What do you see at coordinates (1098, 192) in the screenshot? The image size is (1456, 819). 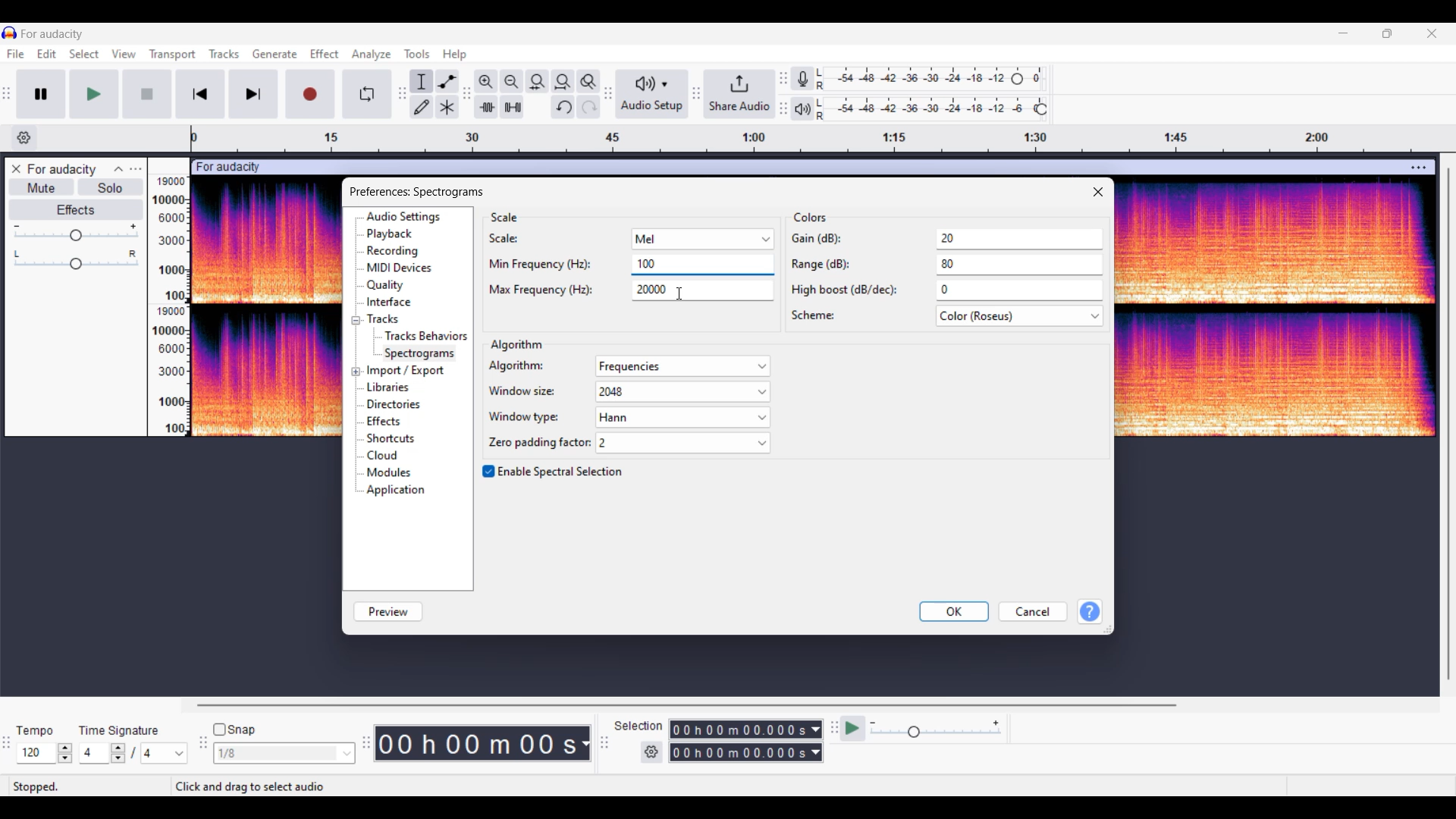 I see `Close window` at bounding box center [1098, 192].